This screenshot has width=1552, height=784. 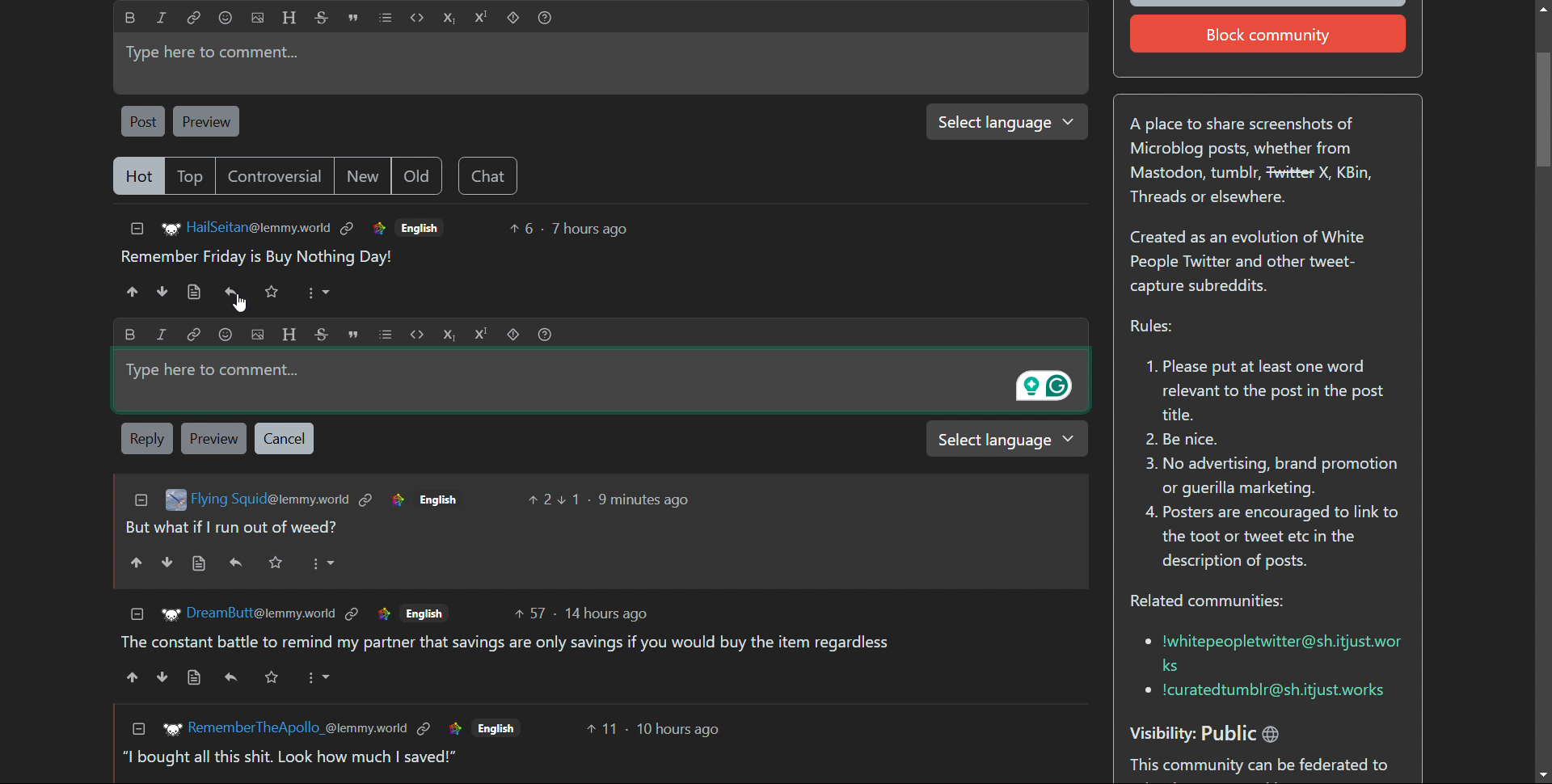 What do you see at coordinates (479, 335) in the screenshot?
I see `Superscript` at bounding box center [479, 335].